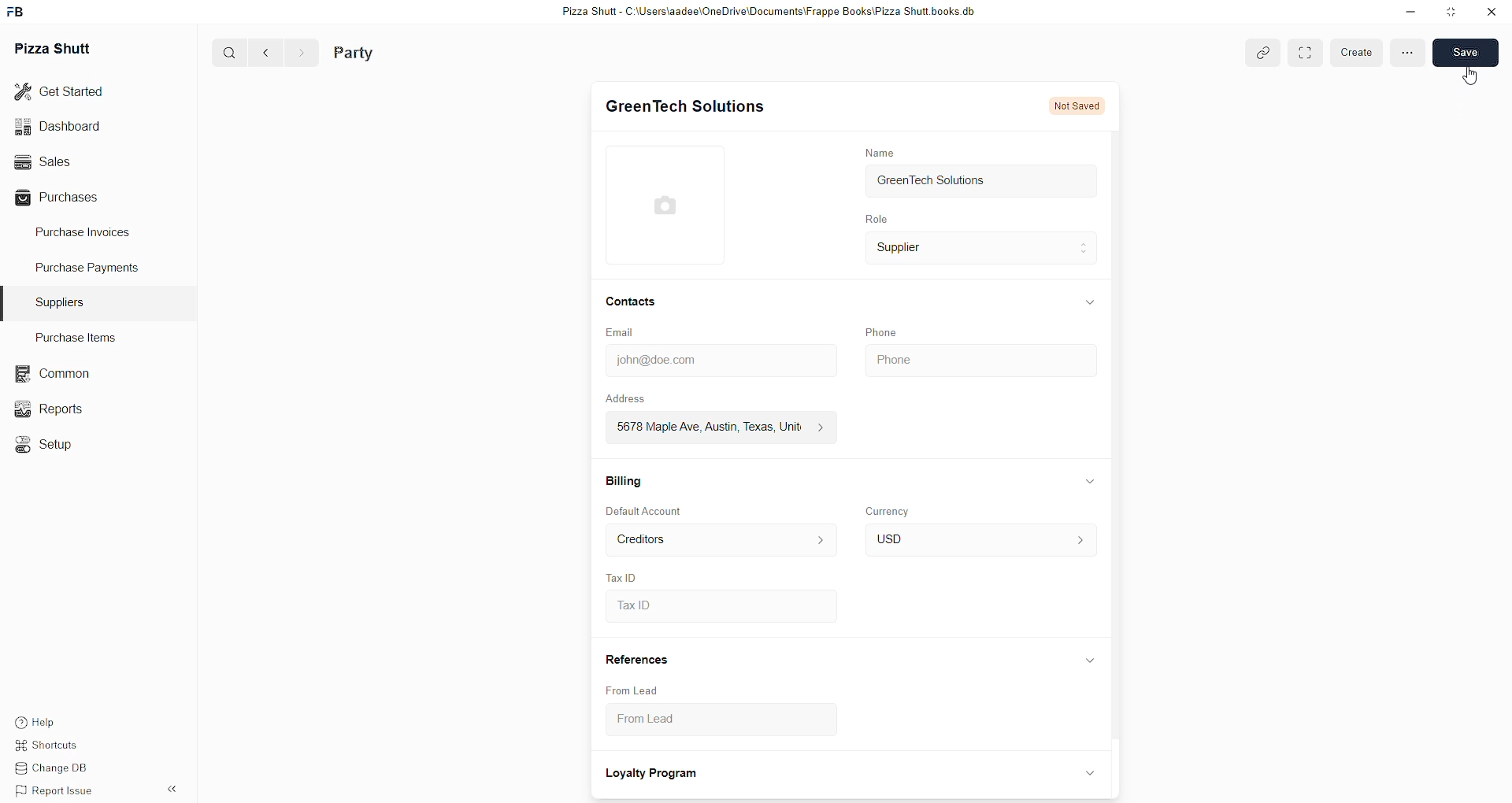 This screenshot has width=1512, height=803. Describe the element at coordinates (57, 748) in the screenshot. I see `Shortcuts.` at that location.